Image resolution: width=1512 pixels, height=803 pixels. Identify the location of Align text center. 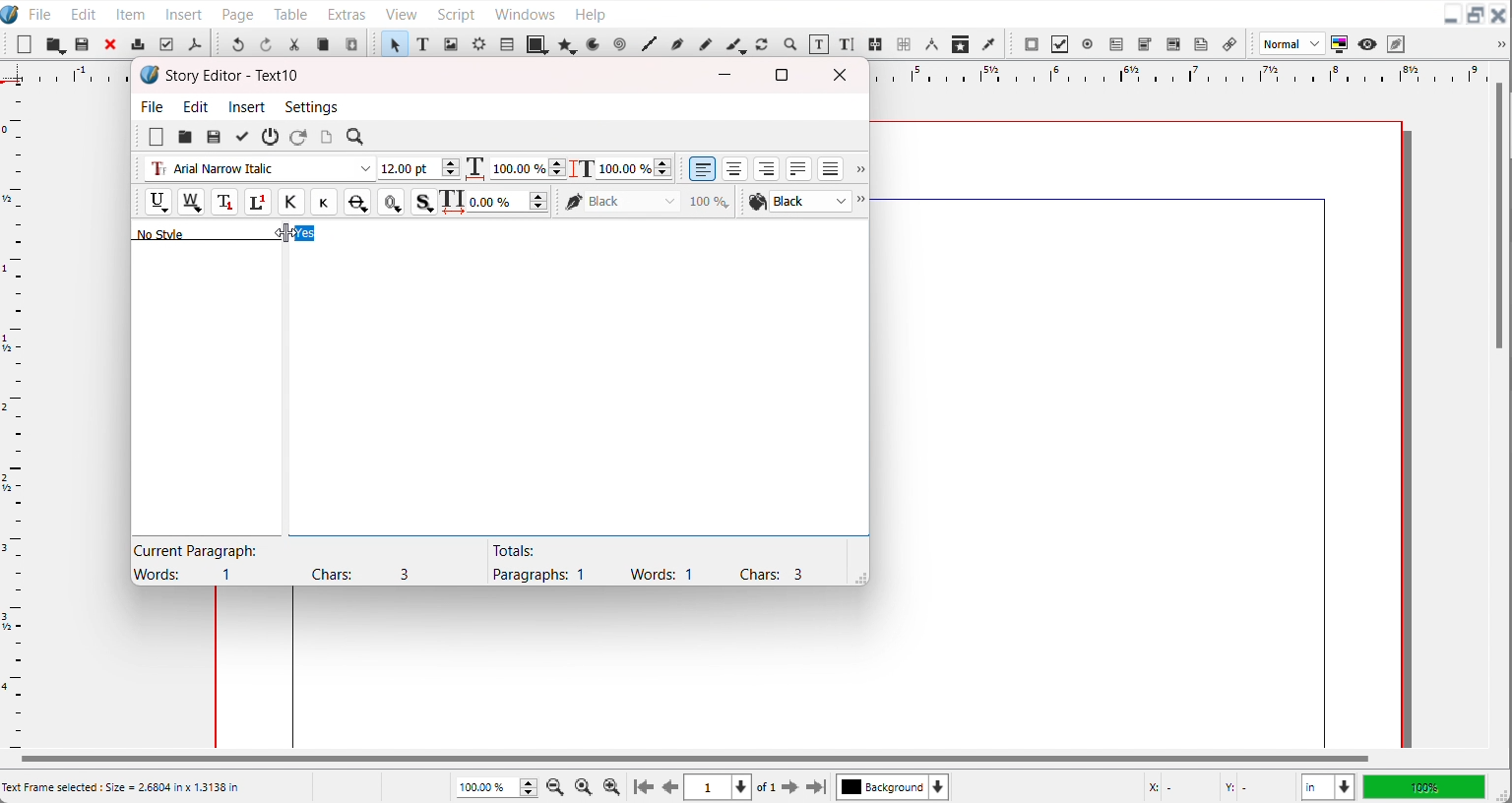
(735, 168).